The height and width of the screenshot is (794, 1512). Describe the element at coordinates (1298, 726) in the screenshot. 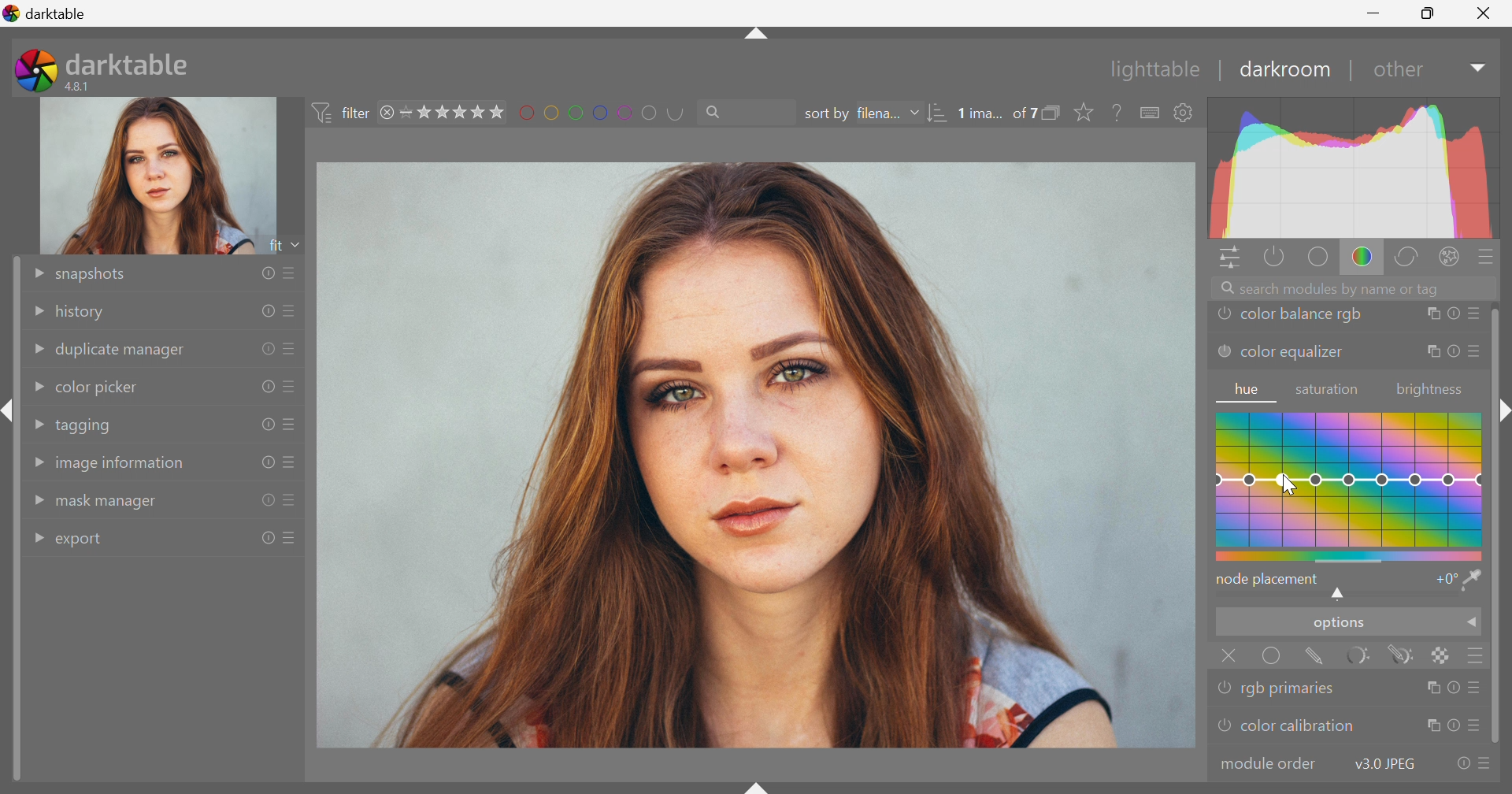

I see `color calibration` at that location.